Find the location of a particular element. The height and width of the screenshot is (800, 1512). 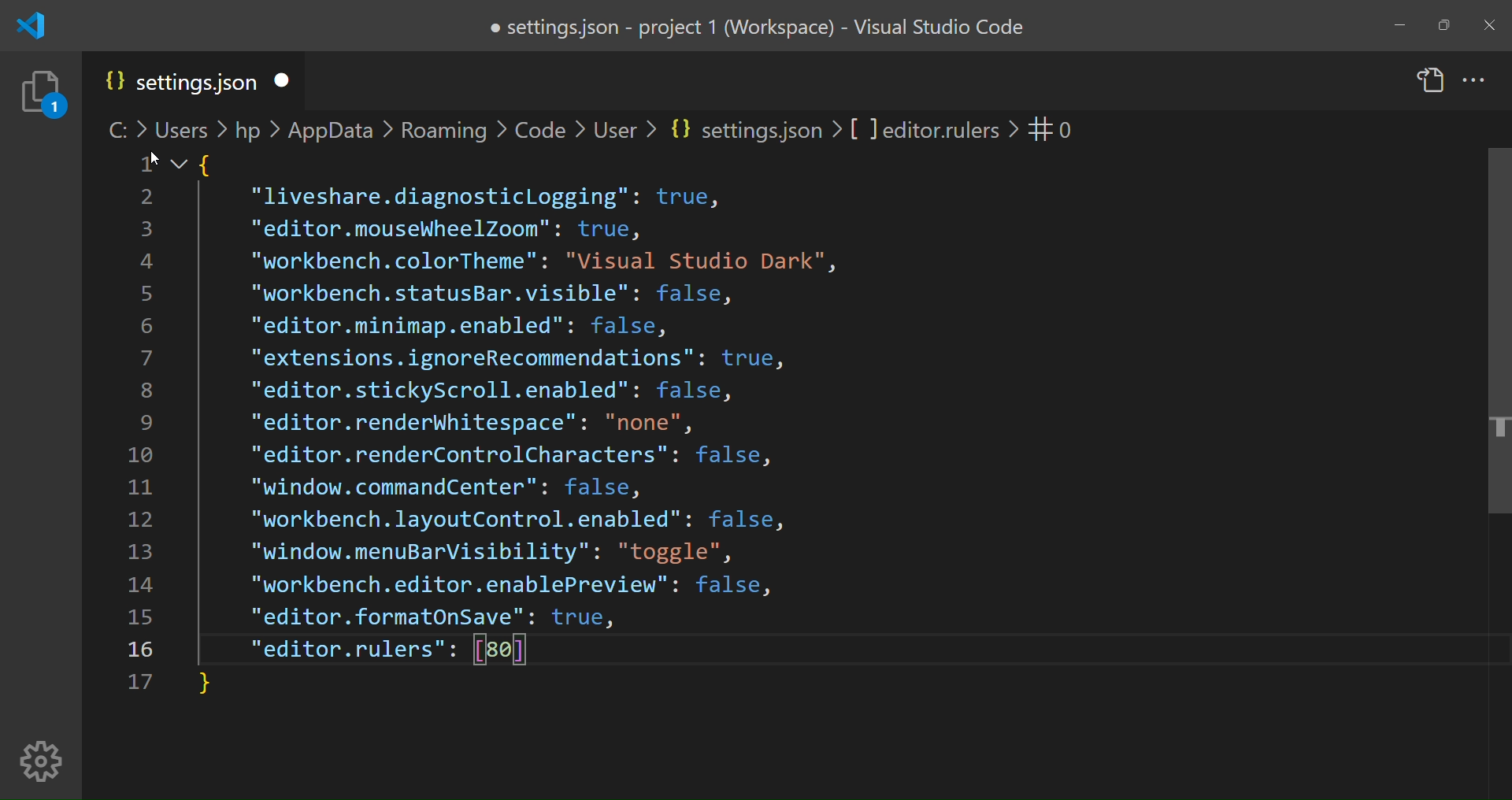

task value is located at coordinates (1051, 128).